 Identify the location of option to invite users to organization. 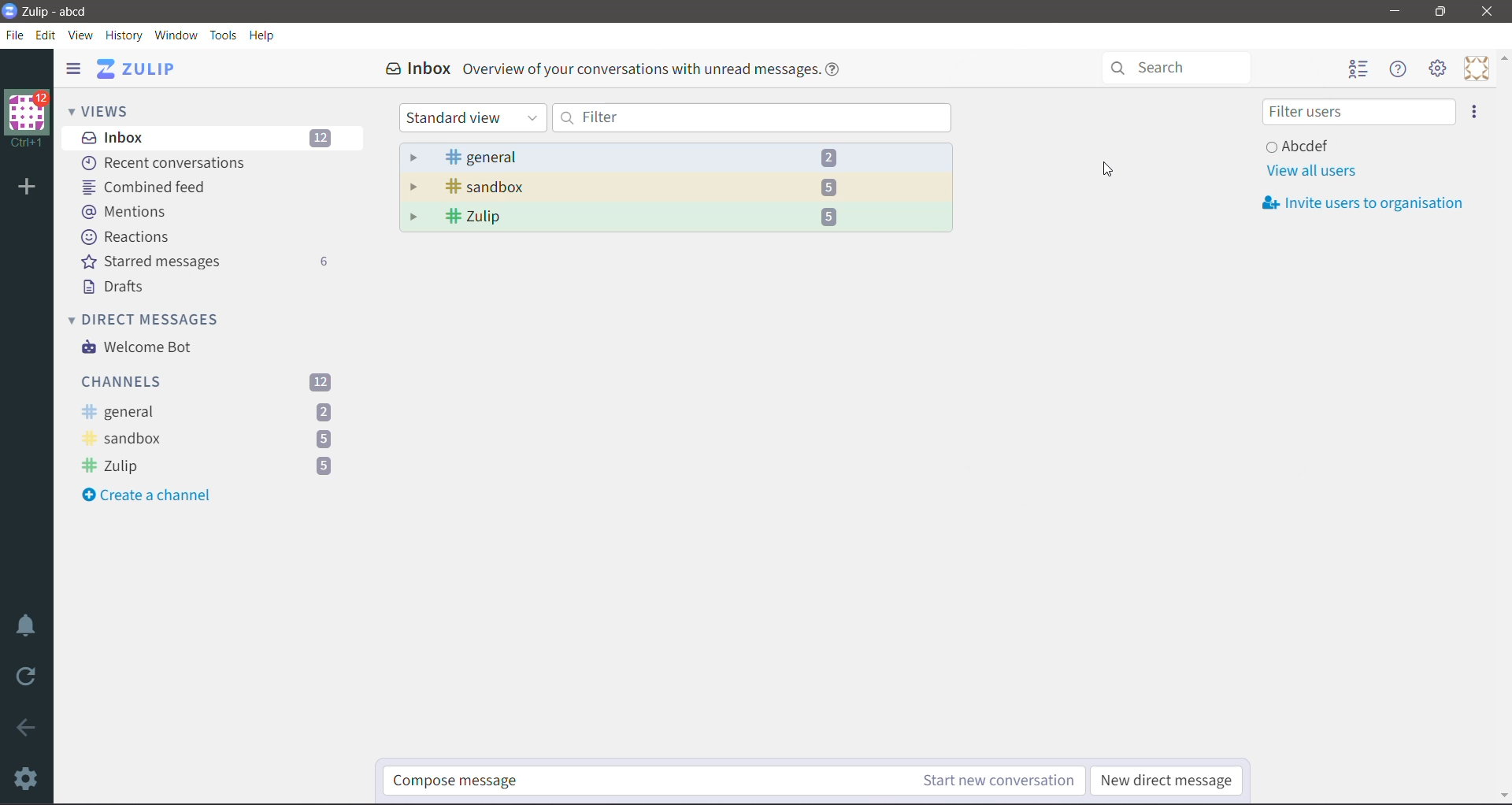
(1473, 111).